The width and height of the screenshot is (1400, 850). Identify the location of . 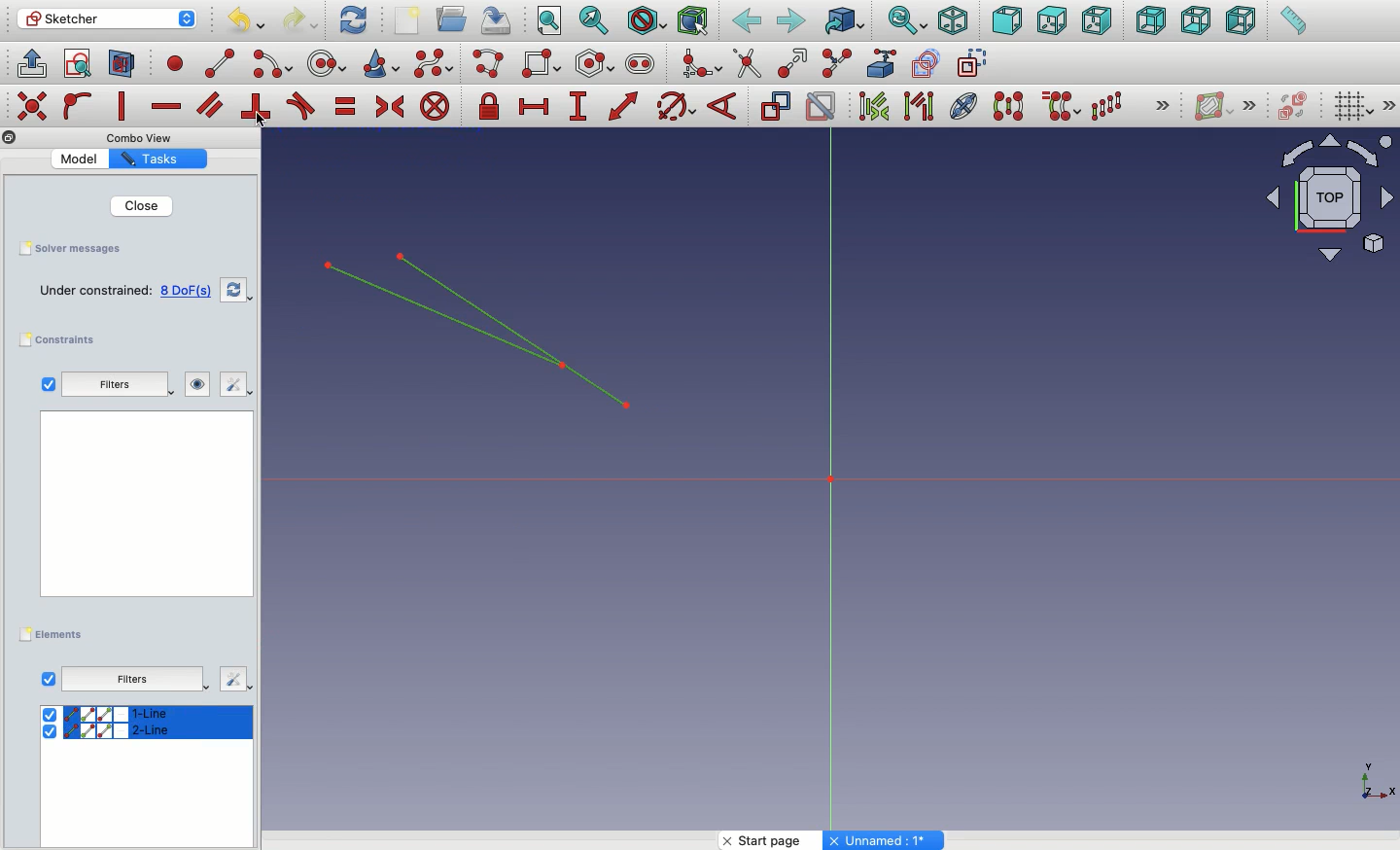
(9, 138).